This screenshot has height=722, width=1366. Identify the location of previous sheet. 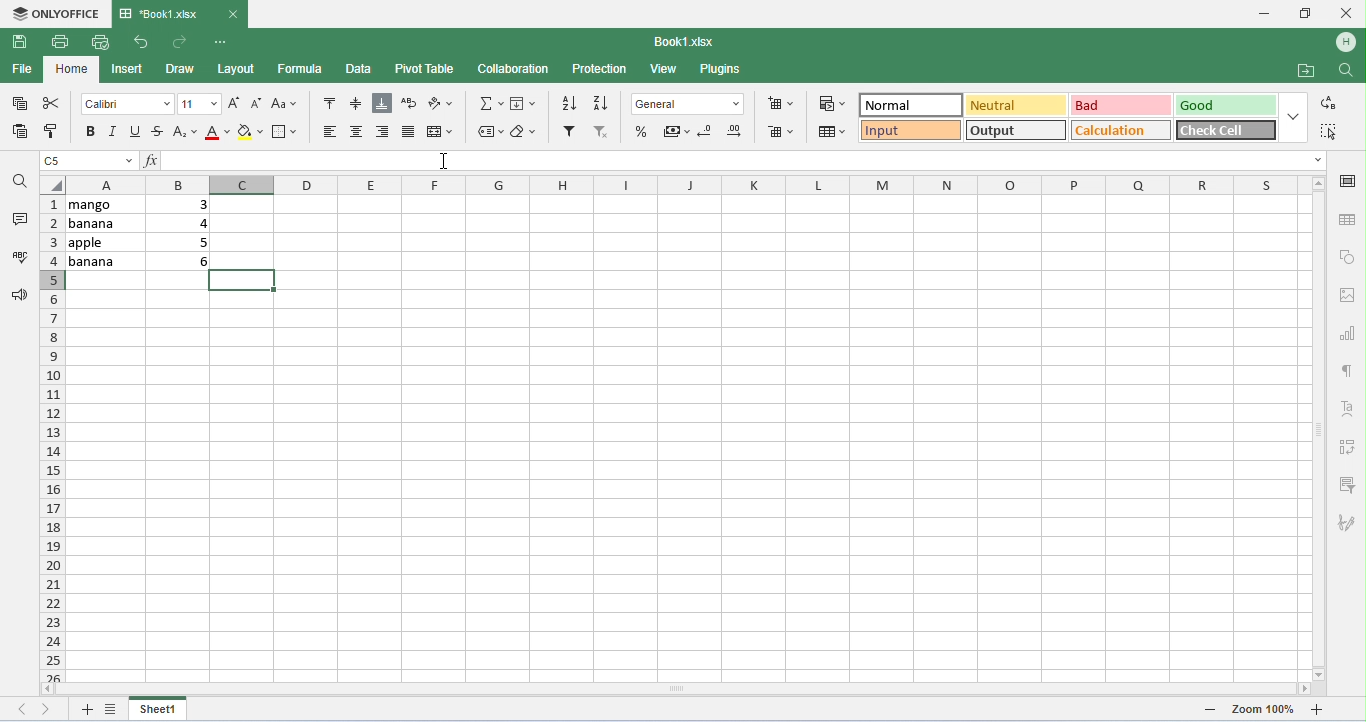
(24, 707).